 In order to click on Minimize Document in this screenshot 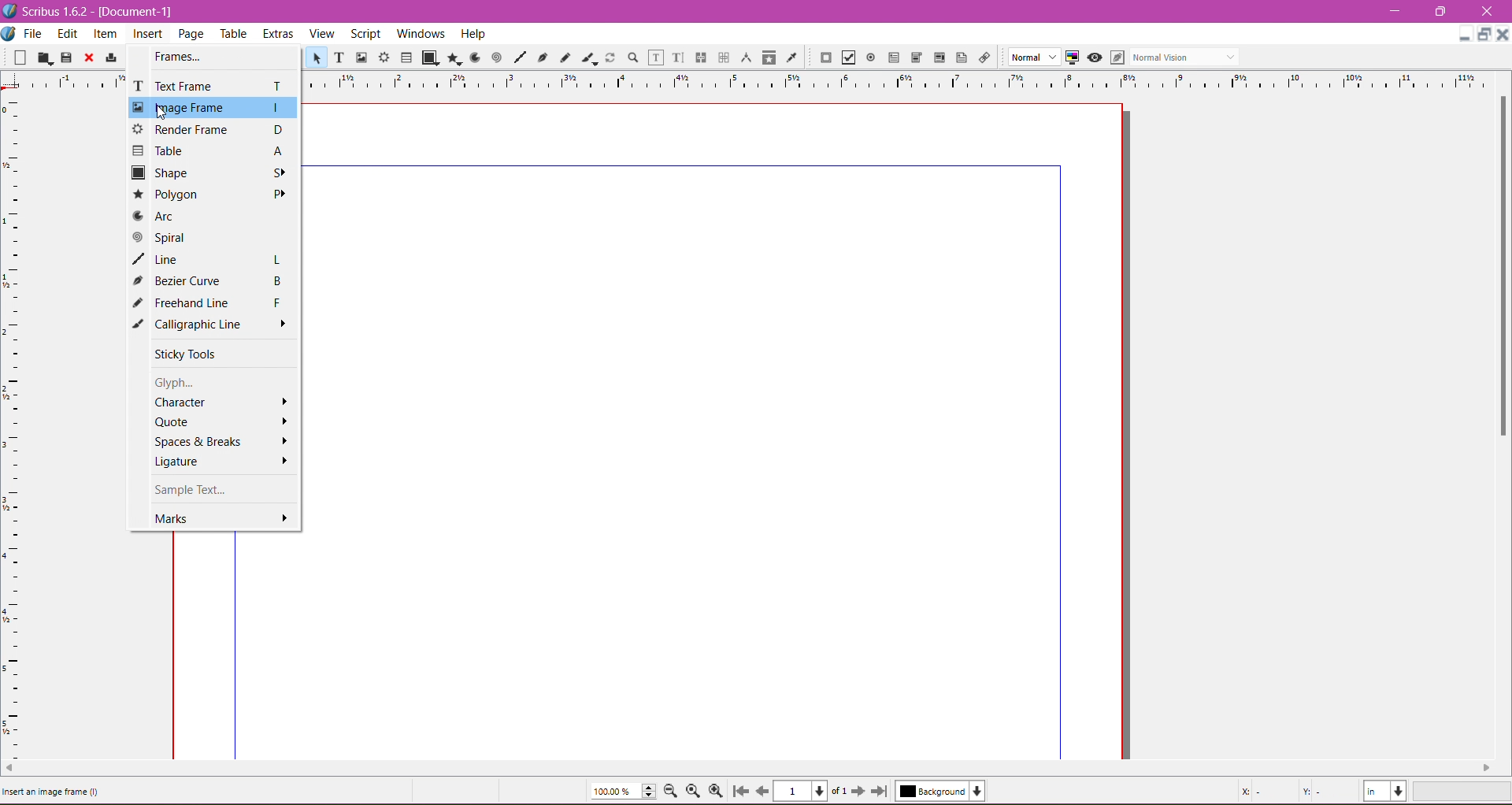, I will do `click(1485, 35)`.